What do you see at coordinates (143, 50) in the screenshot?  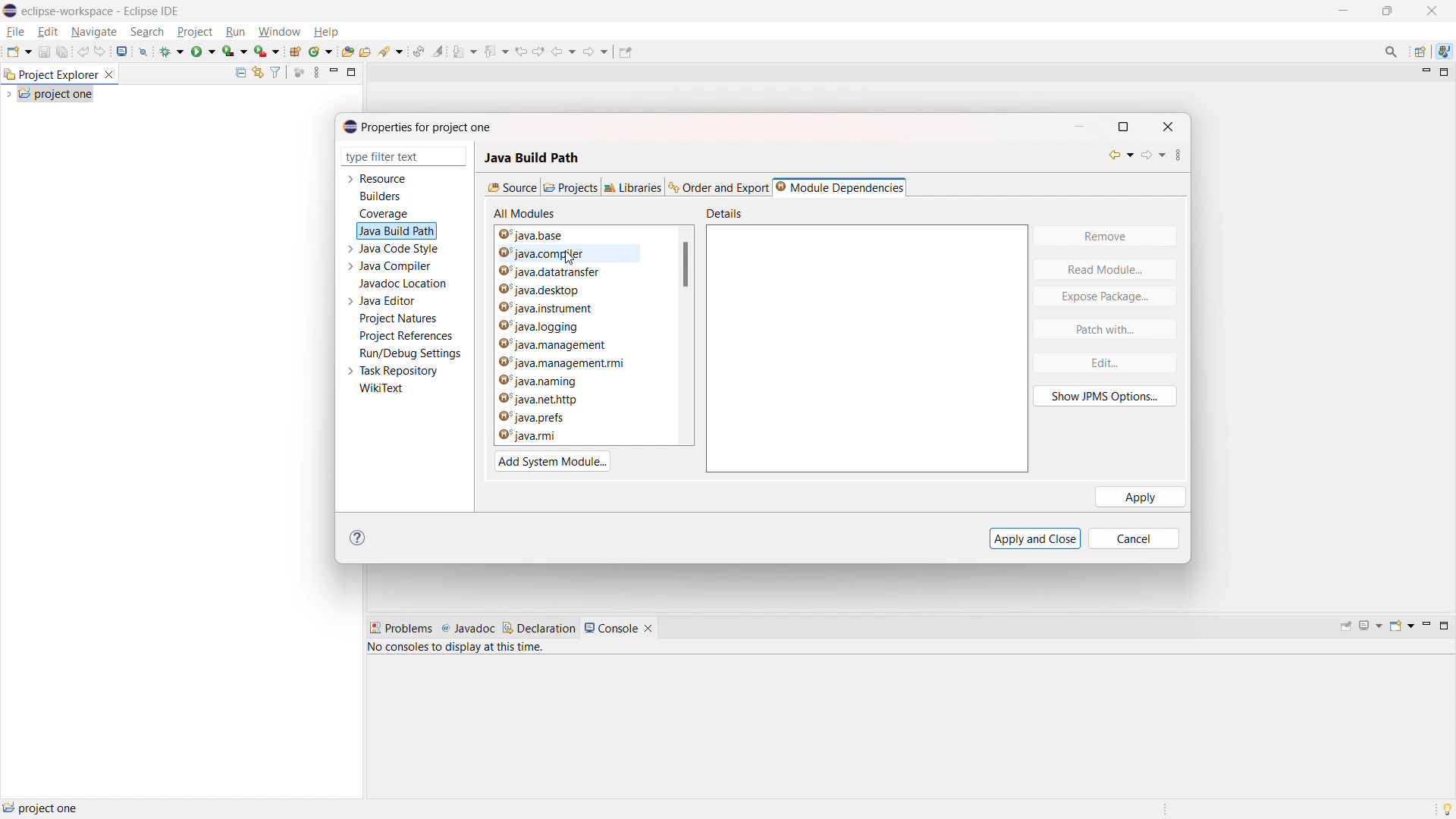 I see `skip all breakpoint` at bounding box center [143, 50].